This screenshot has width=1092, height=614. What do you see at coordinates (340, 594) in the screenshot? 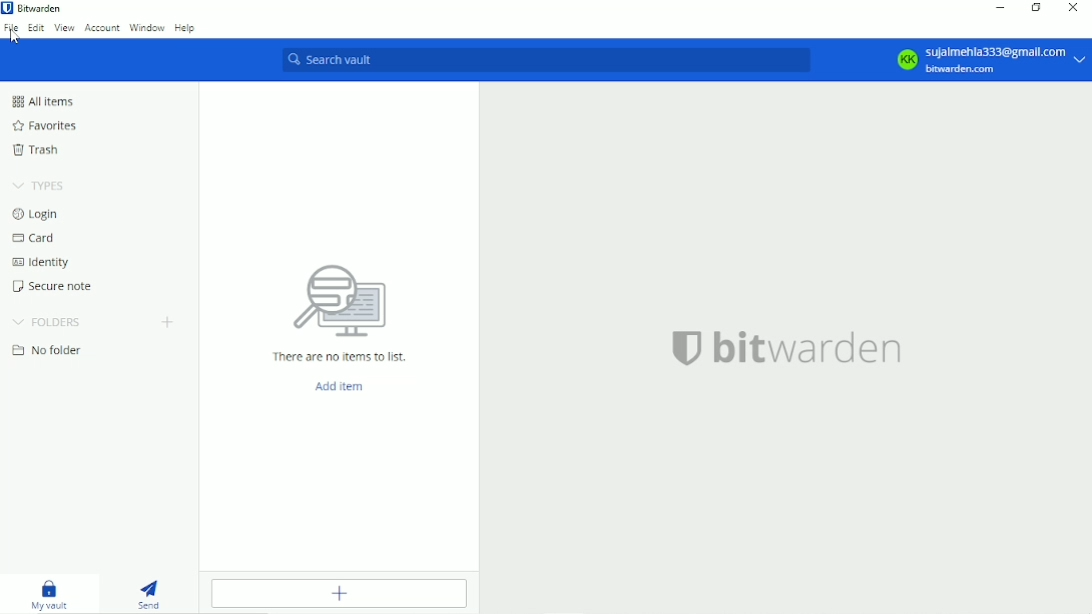
I see `Add item` at bounding box center [340, 594].